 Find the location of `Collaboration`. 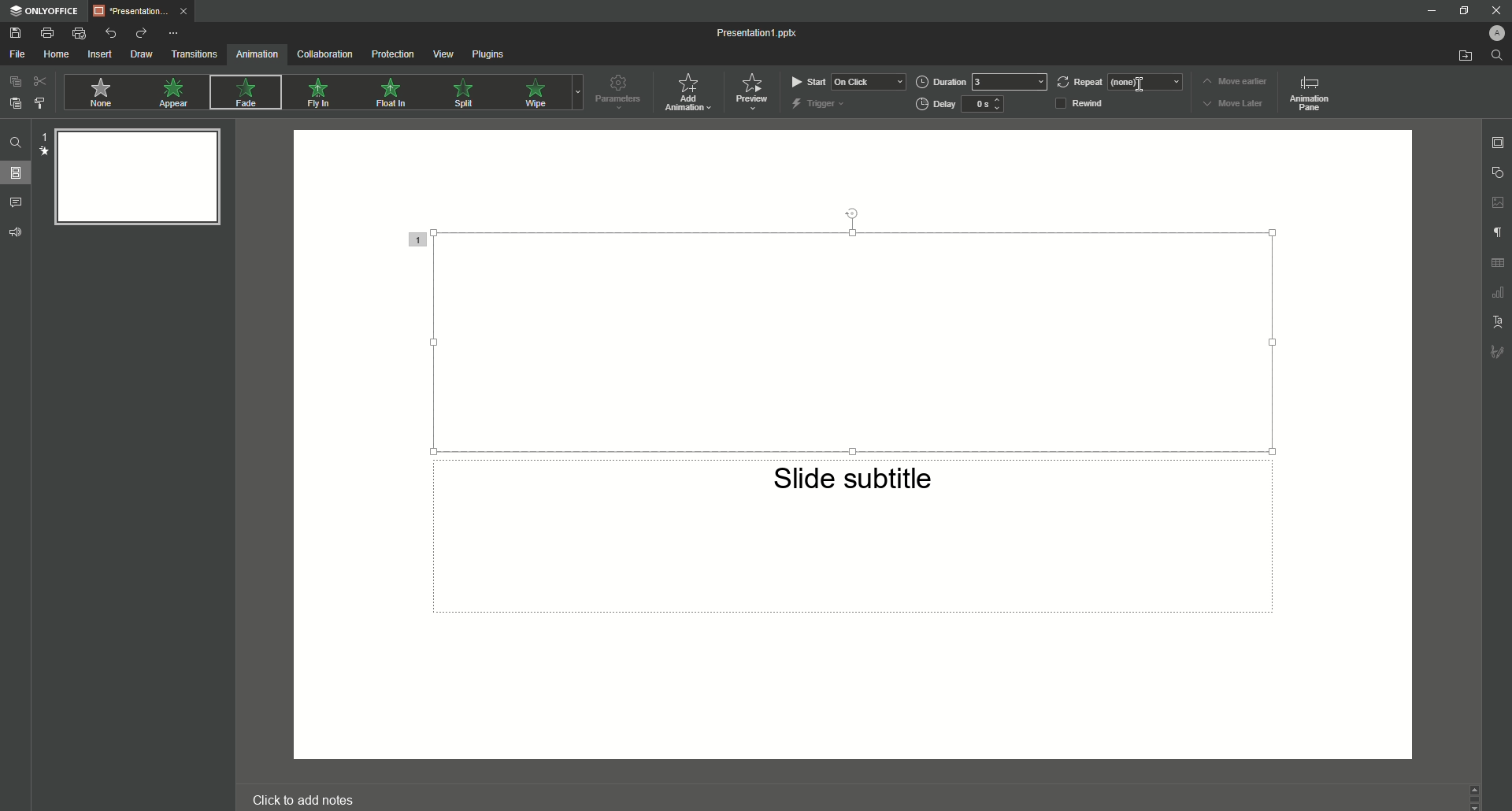

Collaboration is located at coordinates (326, 54).